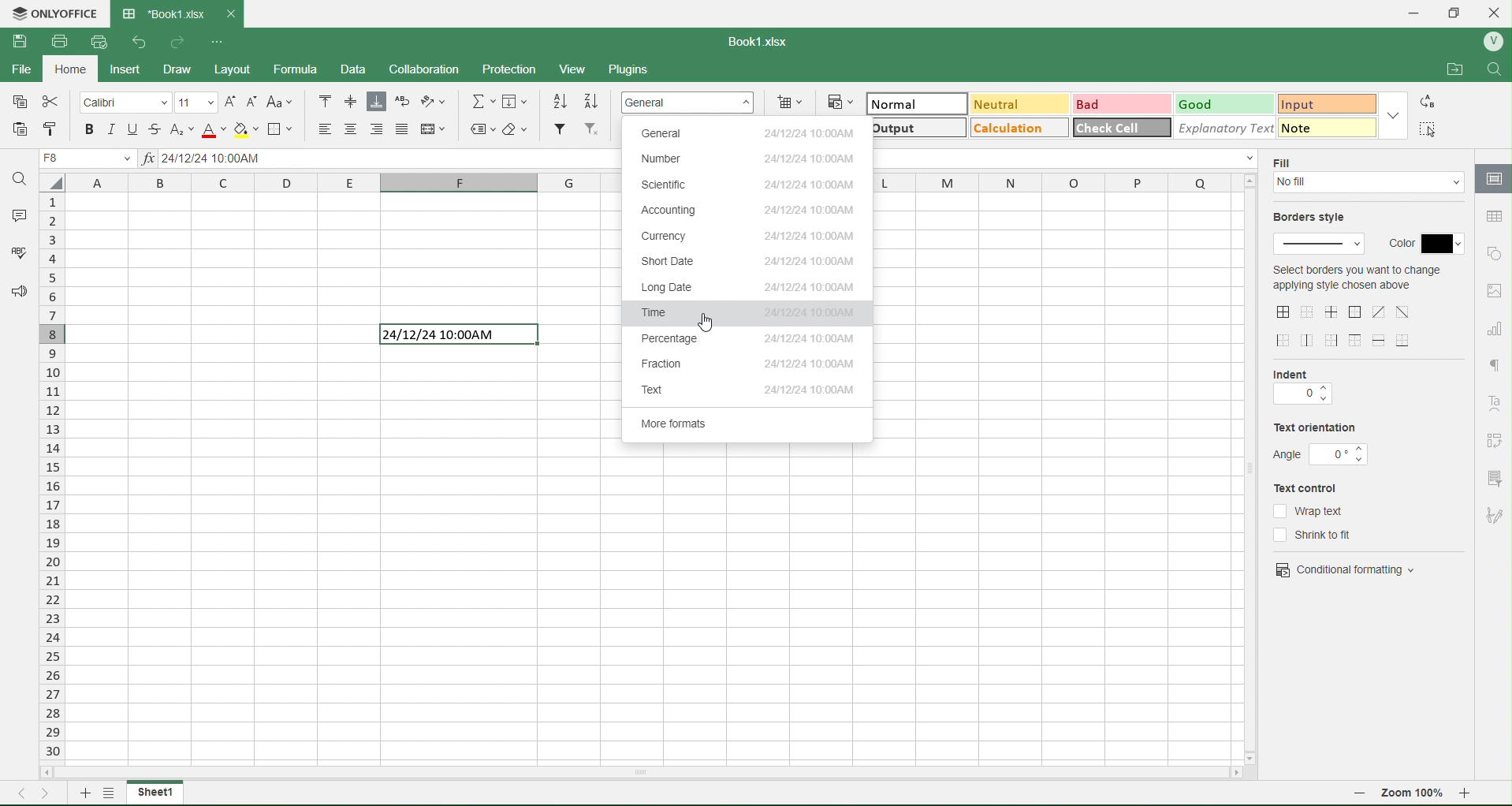  What do you see at coordinates (1346, 568) in the screenshot?
I see `condition formatting` at bounding box center [1346, 568].